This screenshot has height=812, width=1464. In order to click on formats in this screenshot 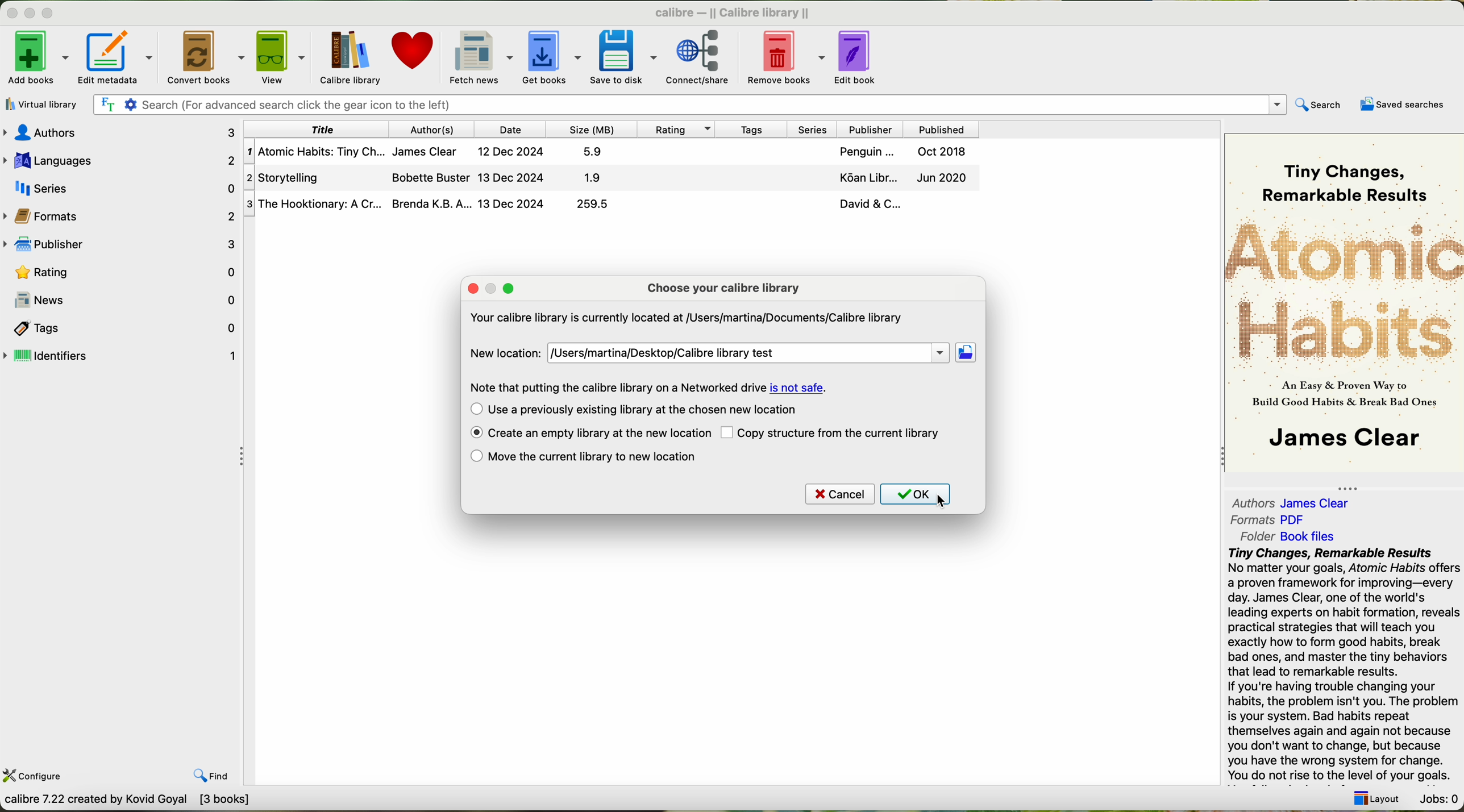, I will do `click(121, 215)`.